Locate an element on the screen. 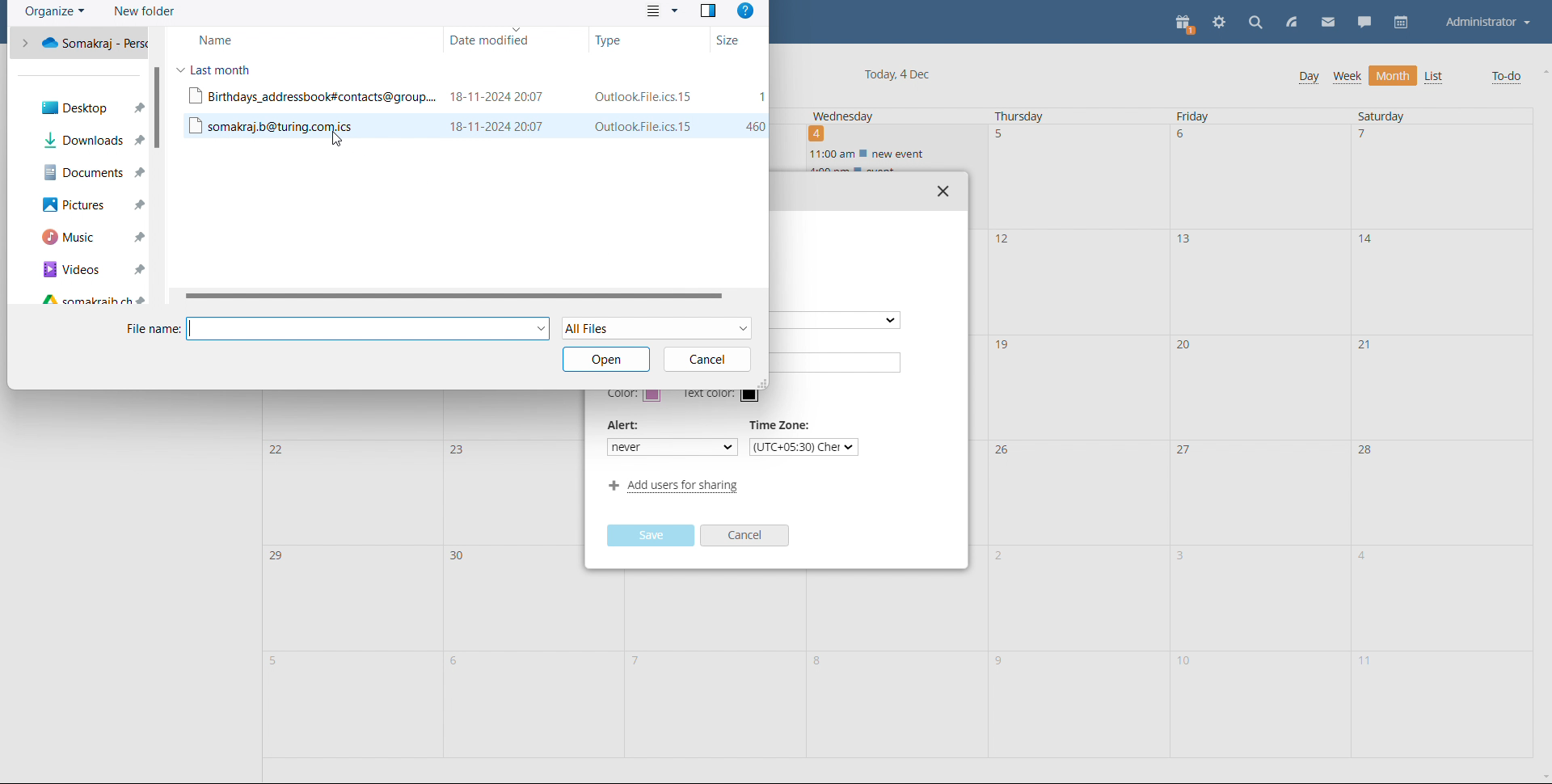 The image size is (1552, 784). resize window is located at coordinates (761, 384).